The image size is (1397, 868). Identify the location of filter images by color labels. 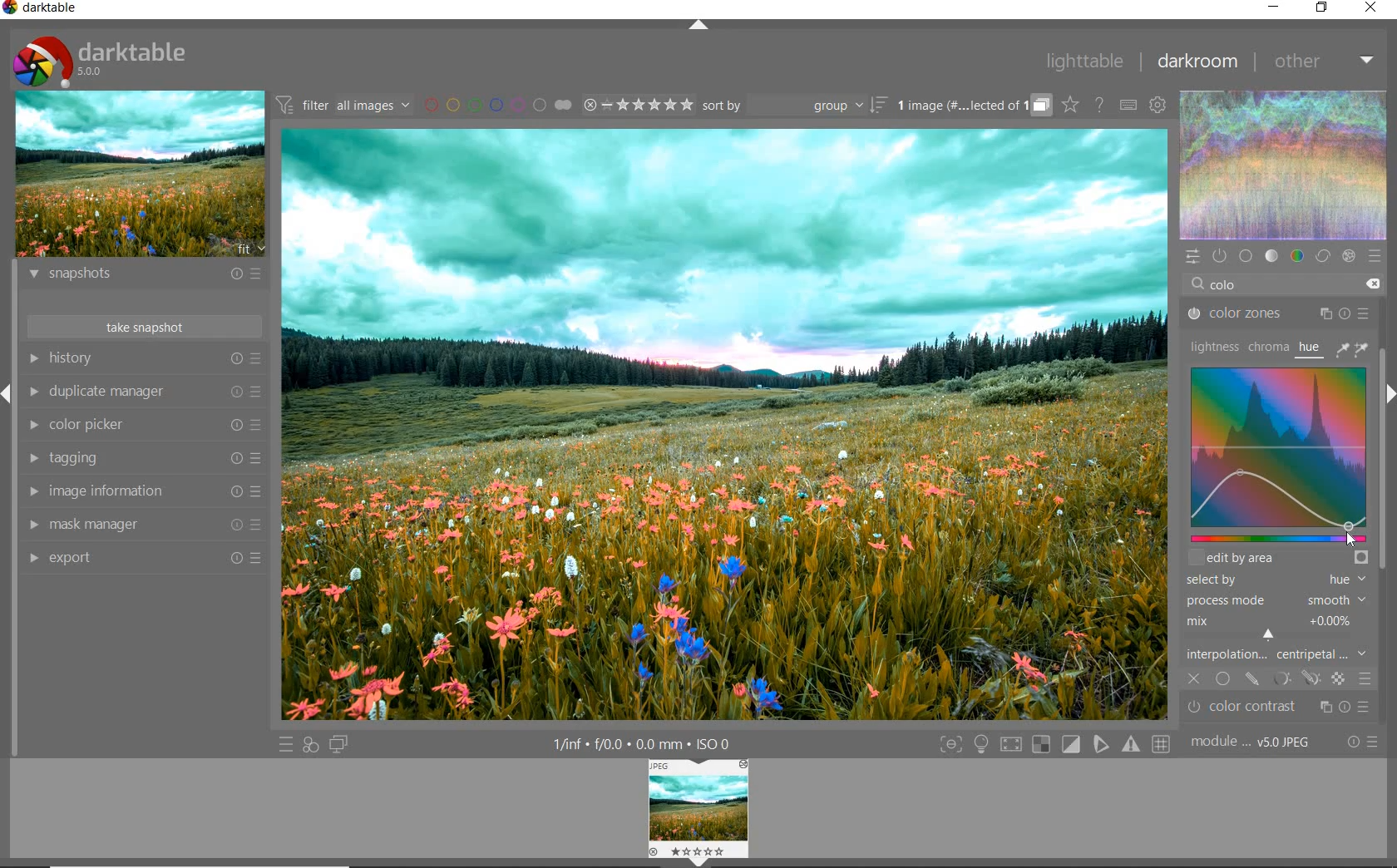
(496, 105).